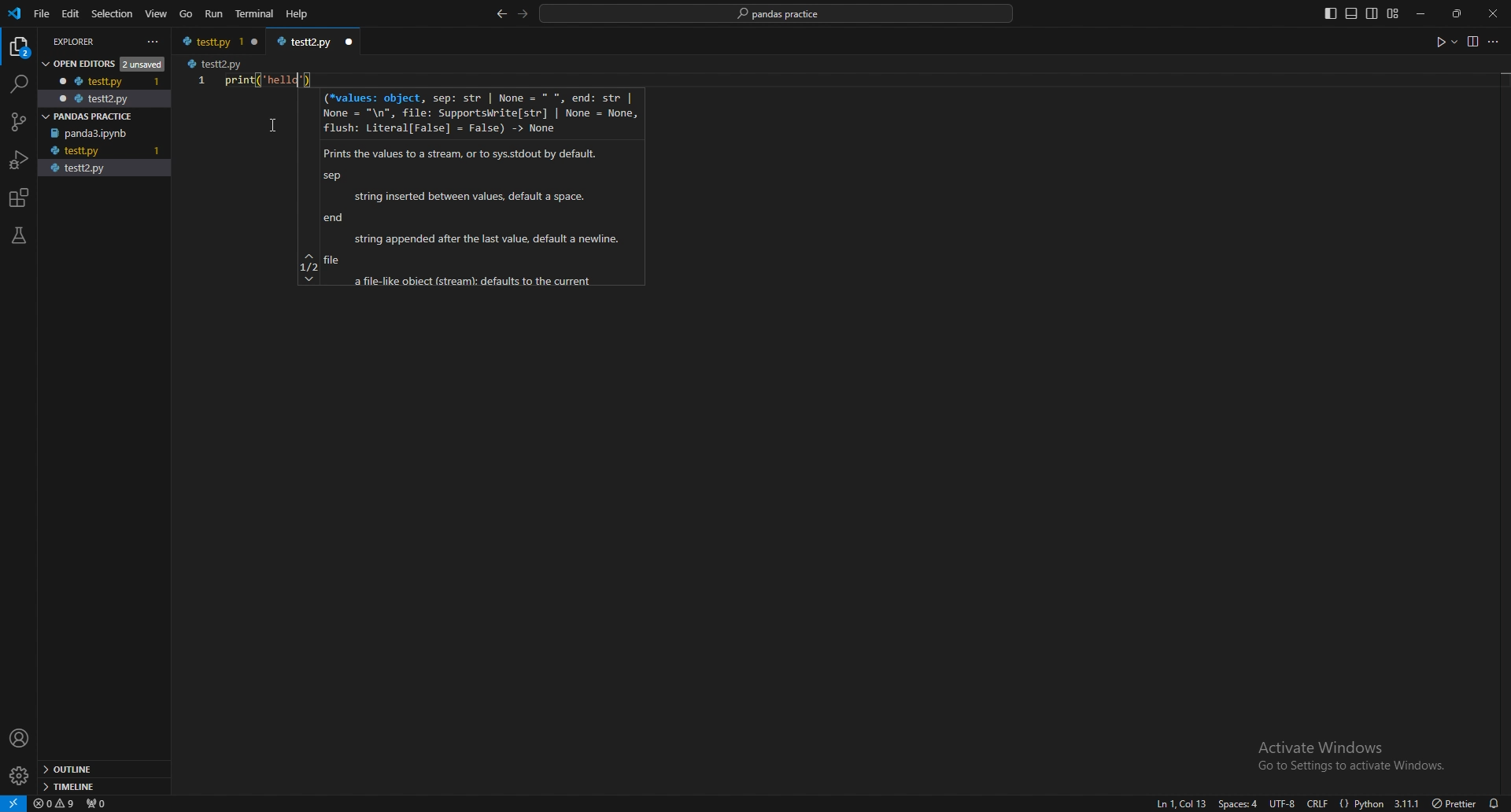  What do you see at coordinates (91, 40) in the screenshot?
I see `explorer` at bounding box center [91, 40].